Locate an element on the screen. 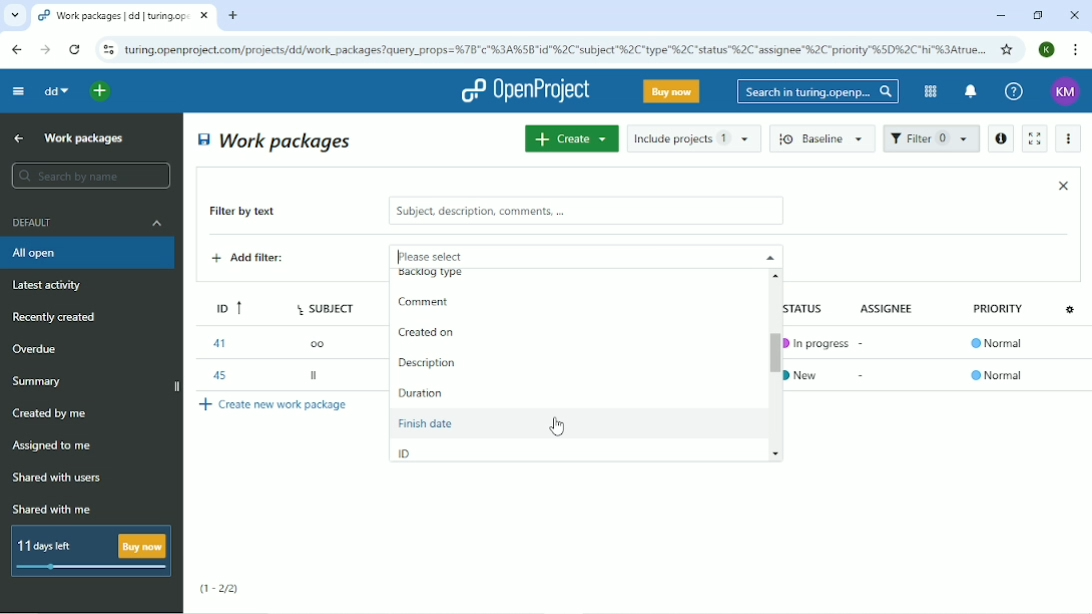 The image size is (1092, 614). To notification center is located at coordinates (969, 93).